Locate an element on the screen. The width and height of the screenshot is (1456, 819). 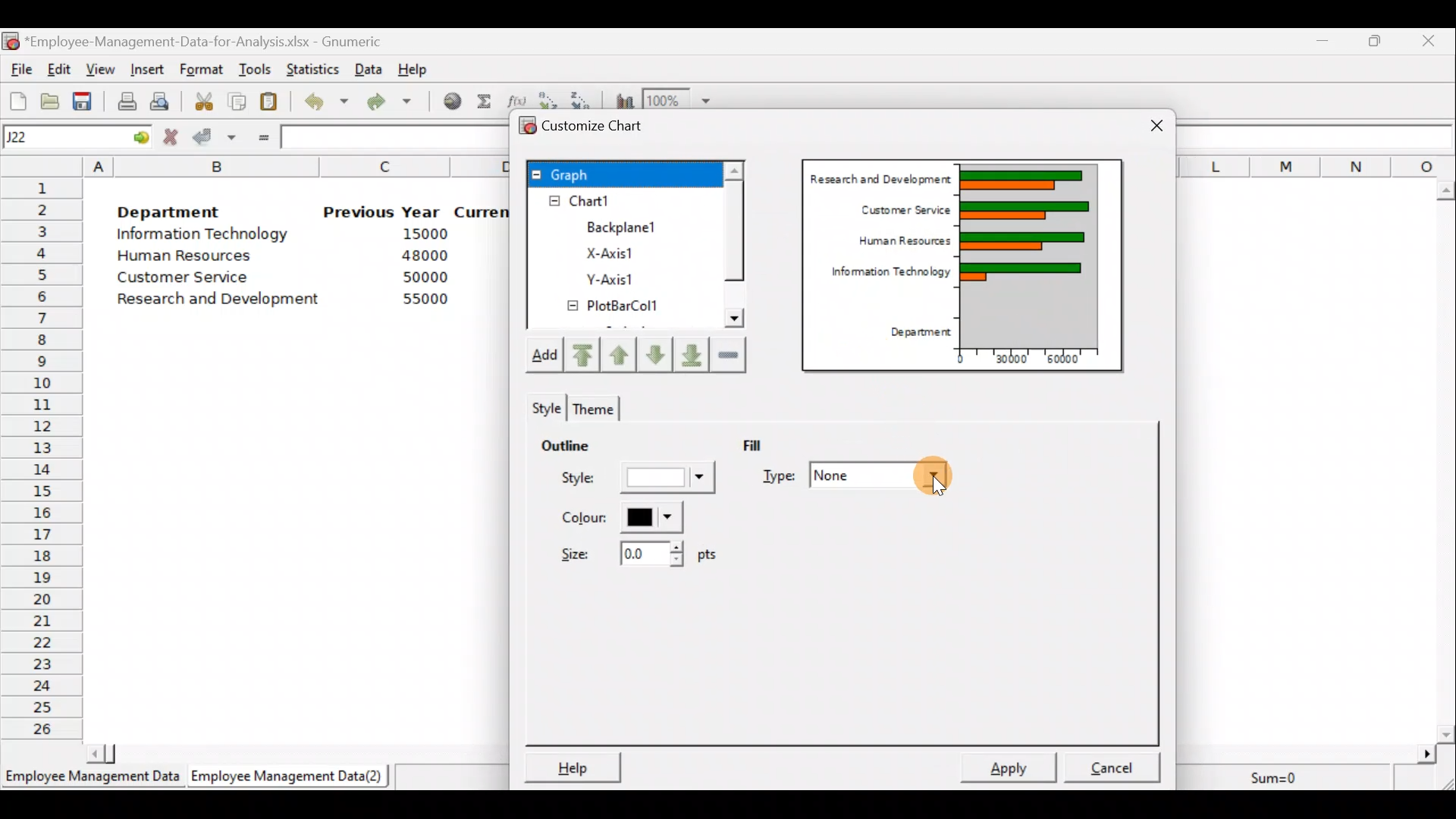
Create a new workbook is located at coordinates (17, 99).